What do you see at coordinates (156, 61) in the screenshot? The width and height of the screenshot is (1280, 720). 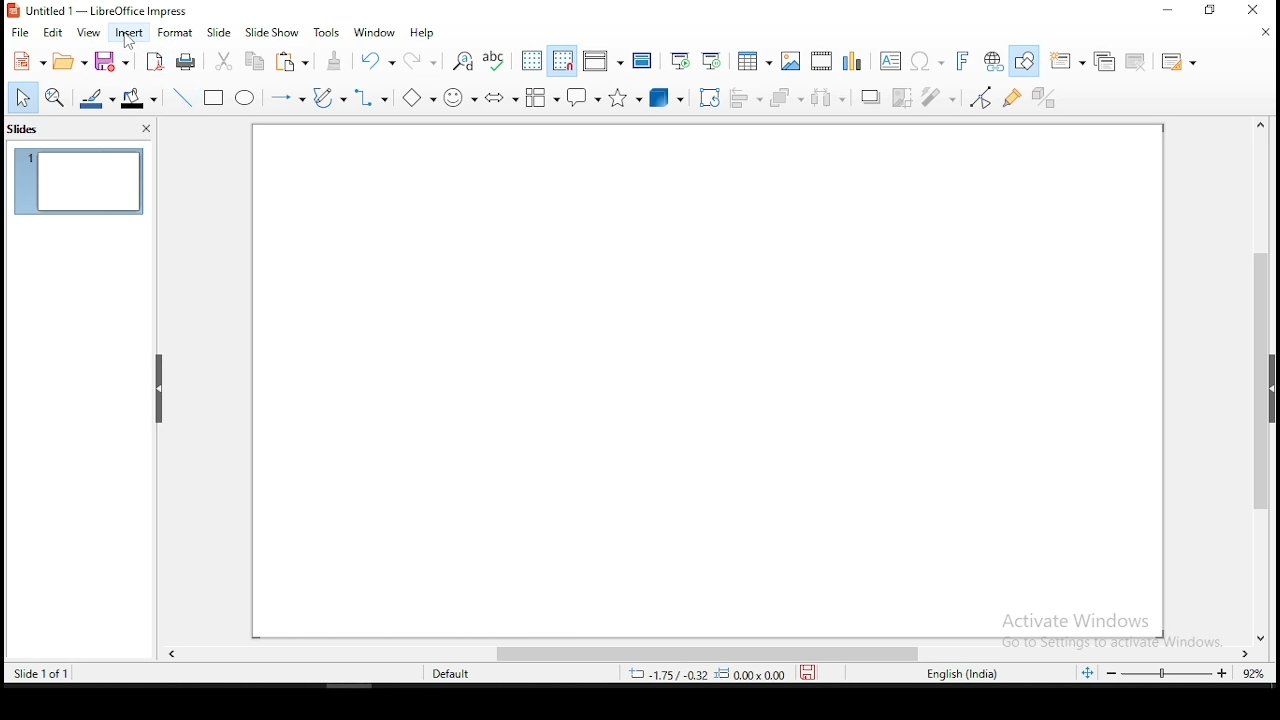 I see `export as pdf` at bounding box center [156, 61].